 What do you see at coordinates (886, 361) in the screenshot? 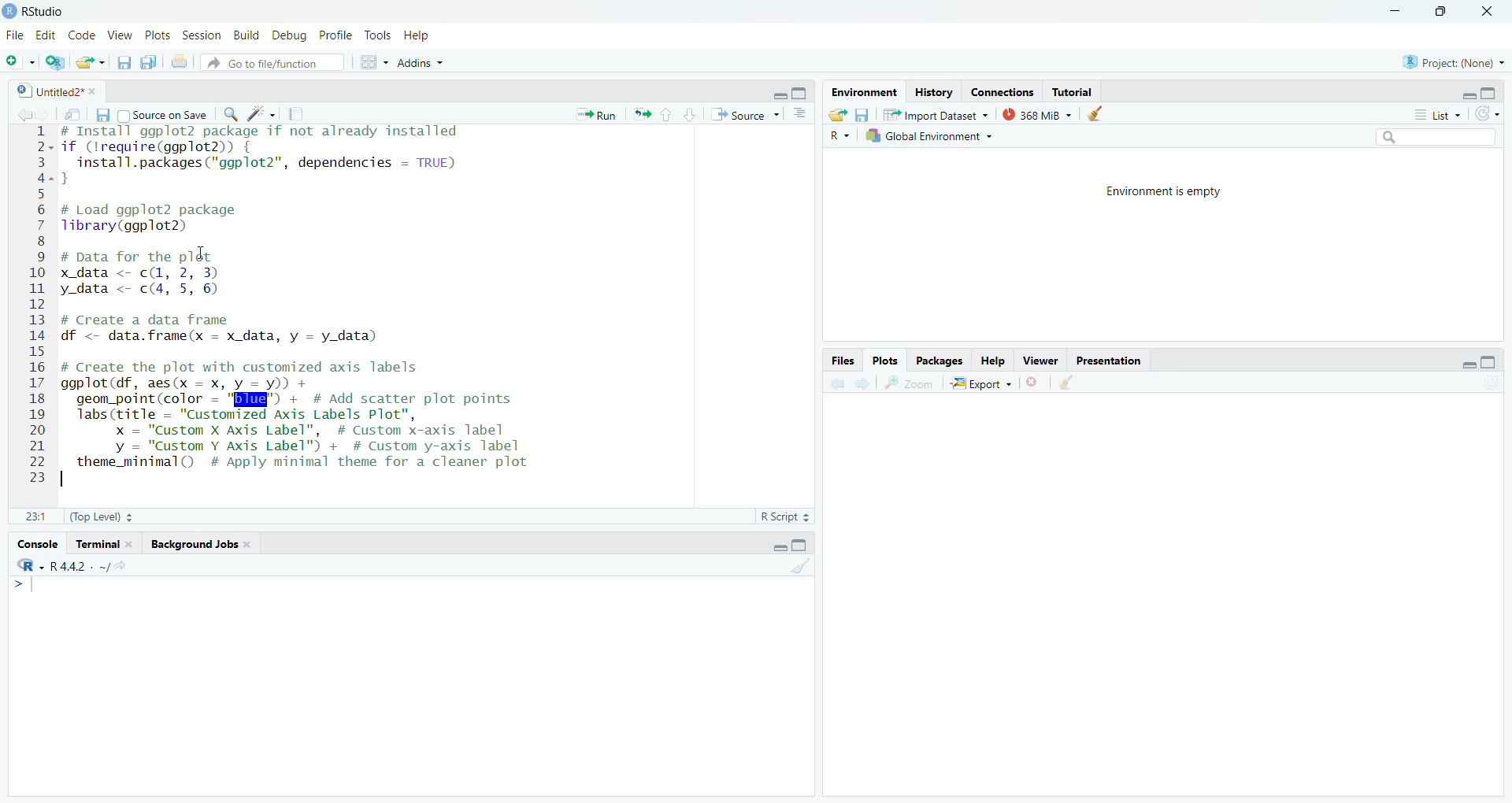
I see `; Plots` at bounding box center [886, 361].